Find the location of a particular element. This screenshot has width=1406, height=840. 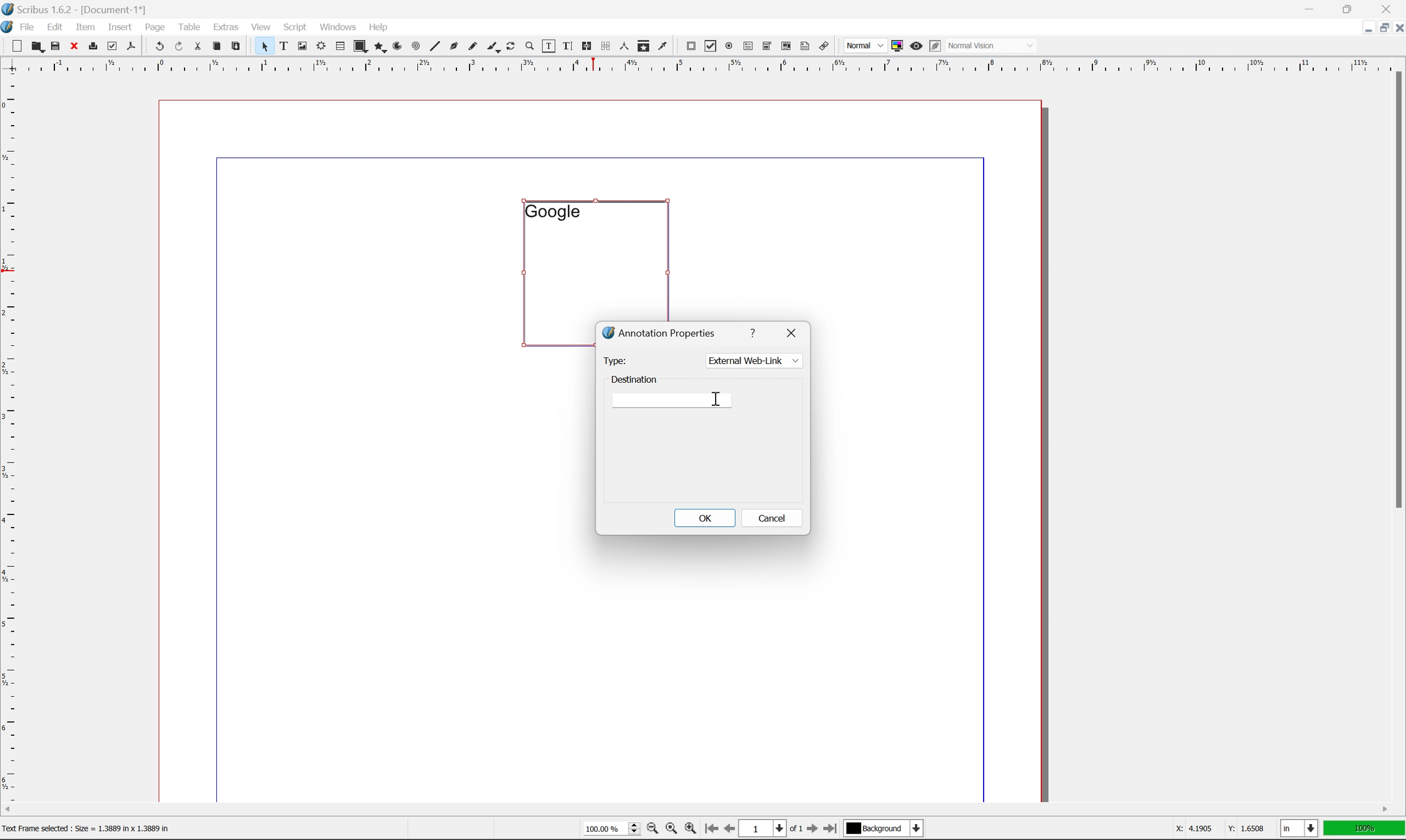

unlink text frames is located at coordinates (604, 46).